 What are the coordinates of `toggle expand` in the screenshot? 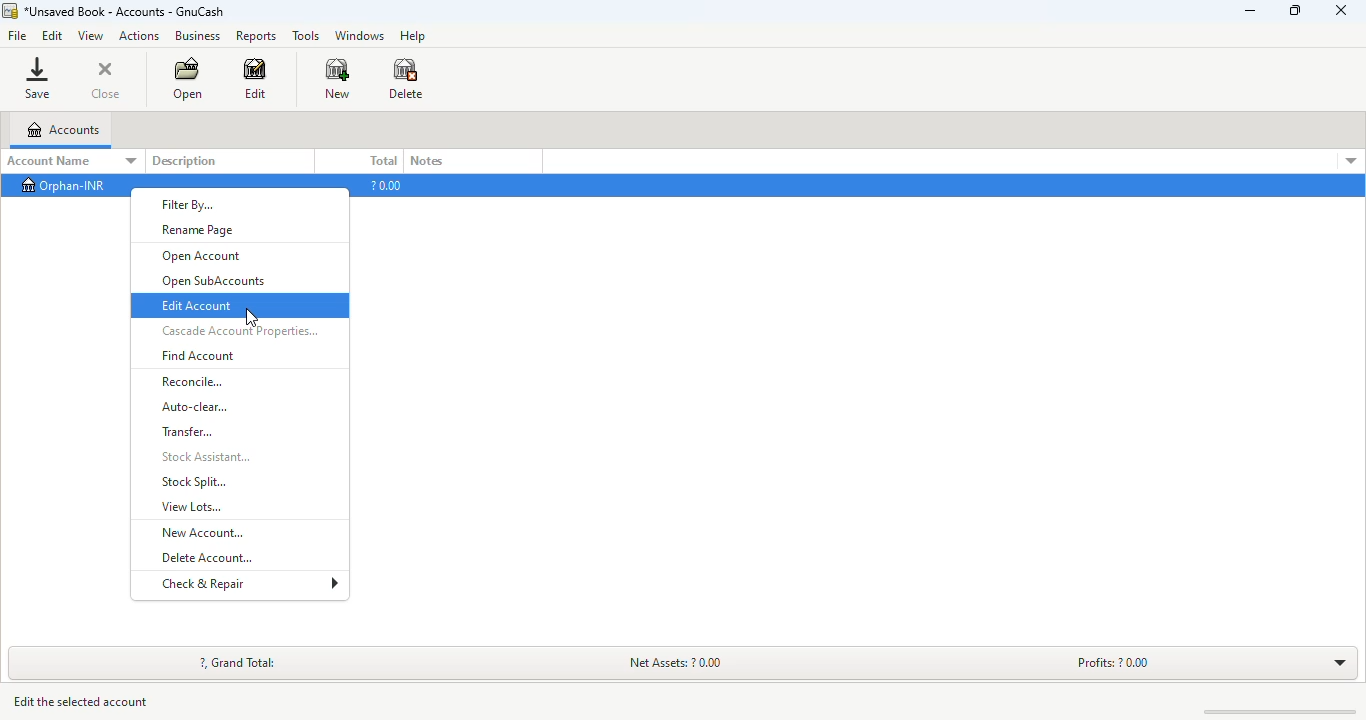 It's located at (1340, 663).